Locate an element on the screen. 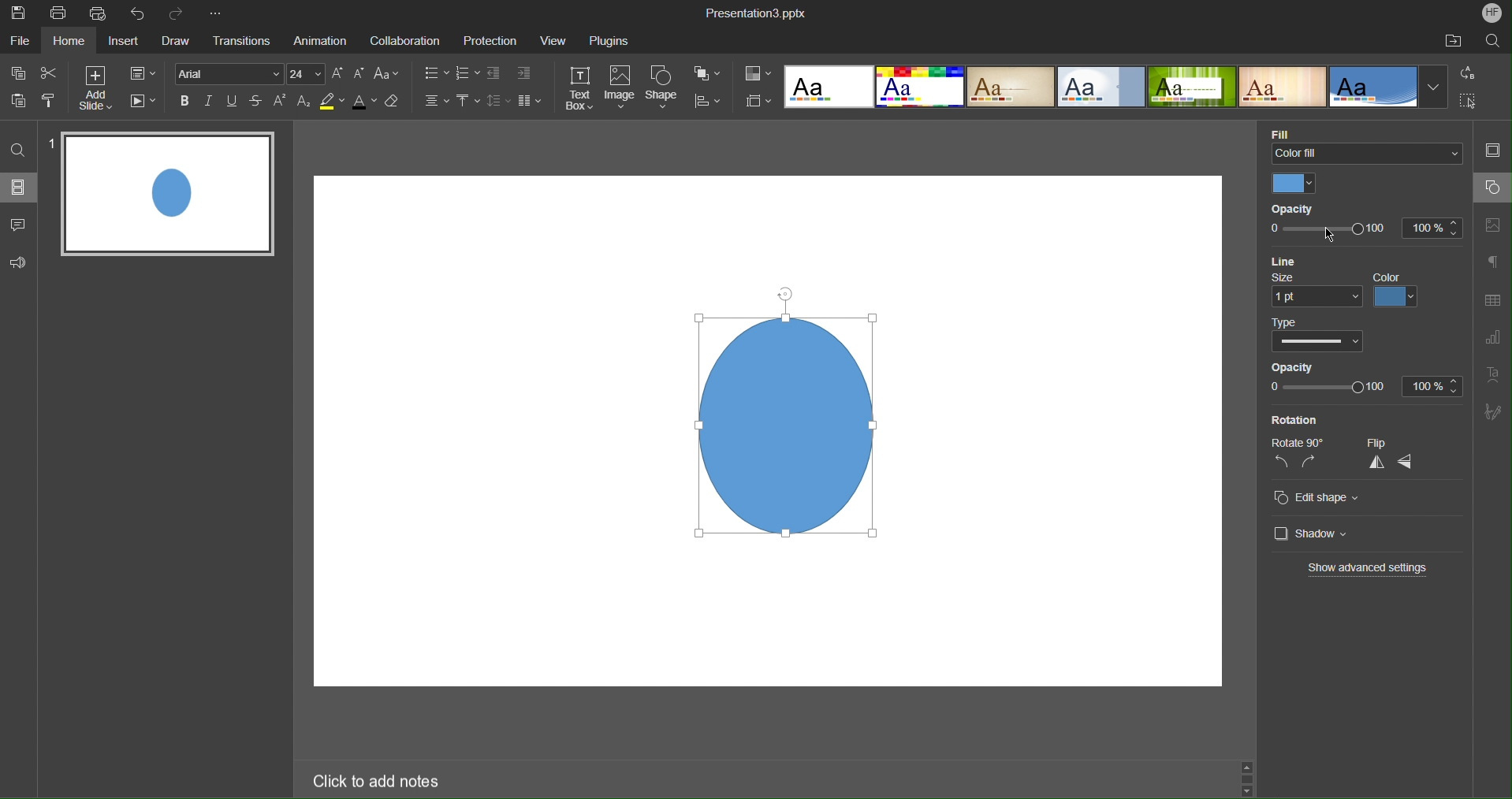 The height and width of the screenshot is (799, 1512). Arrange is located at coordinates (709, 75).